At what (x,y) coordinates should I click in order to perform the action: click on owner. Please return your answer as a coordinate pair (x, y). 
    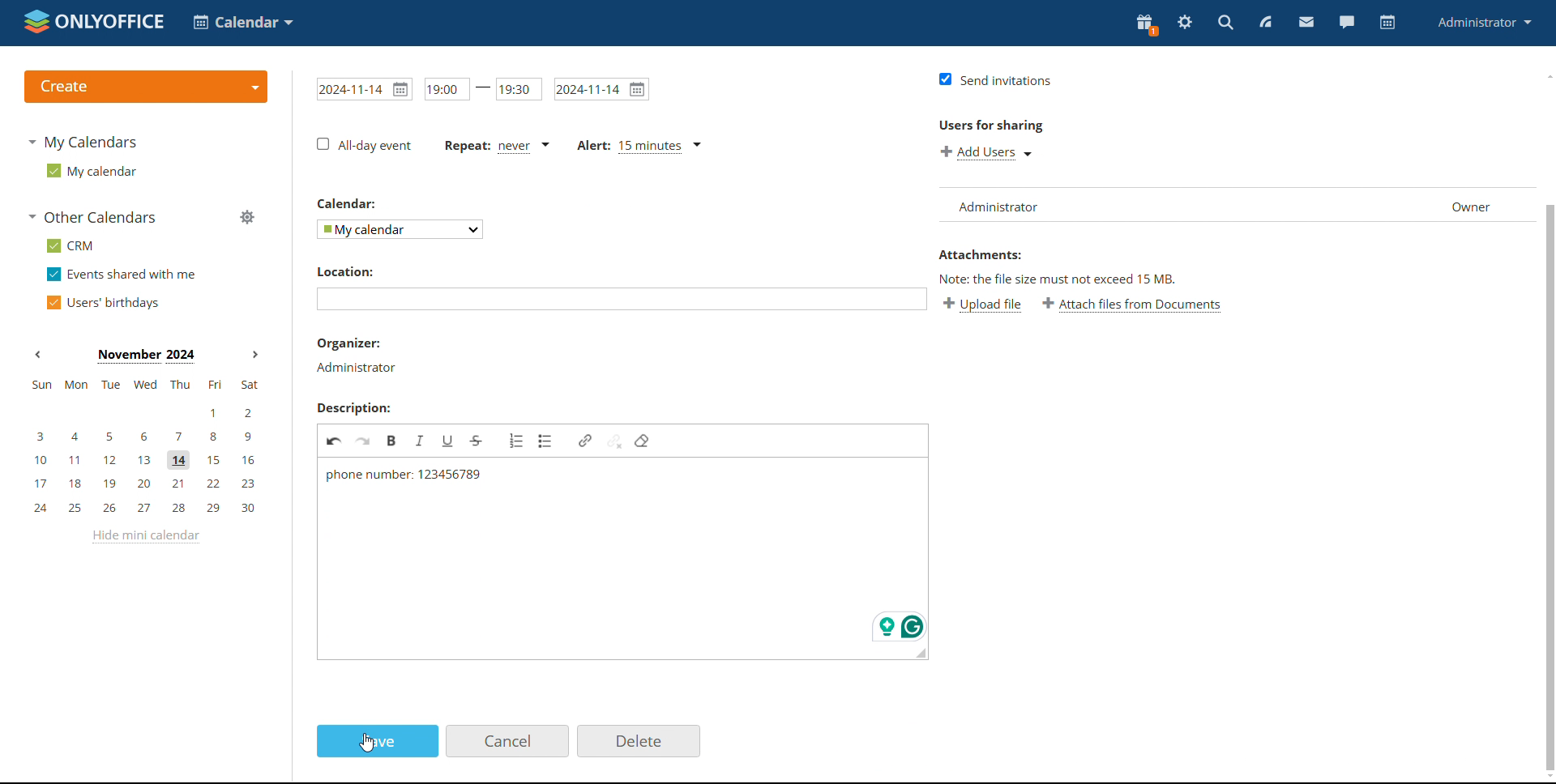
    Looking at the image, I should click on (1471, 209).